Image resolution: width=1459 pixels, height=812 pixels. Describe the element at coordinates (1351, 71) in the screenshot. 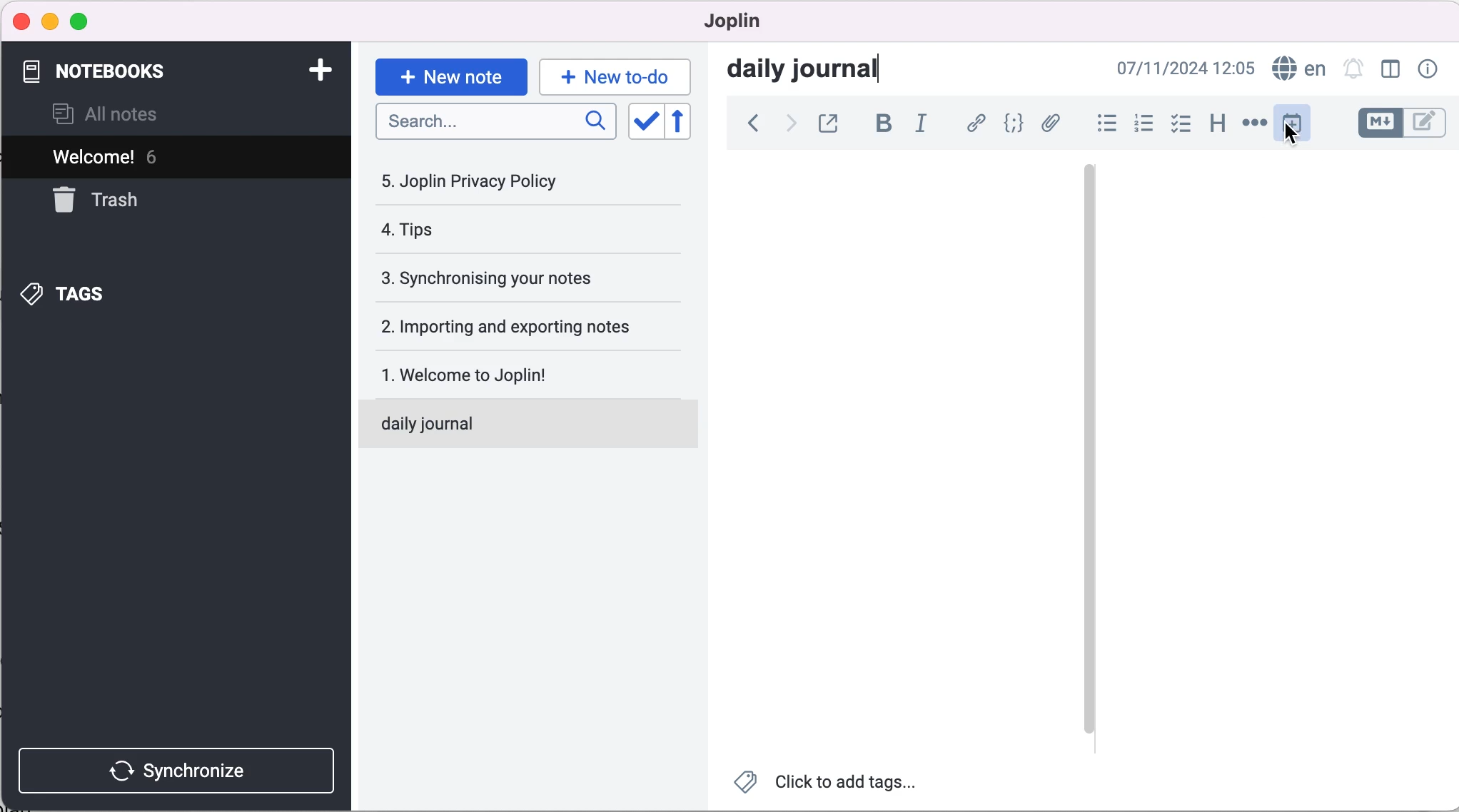

I see `set alarm` at that location.